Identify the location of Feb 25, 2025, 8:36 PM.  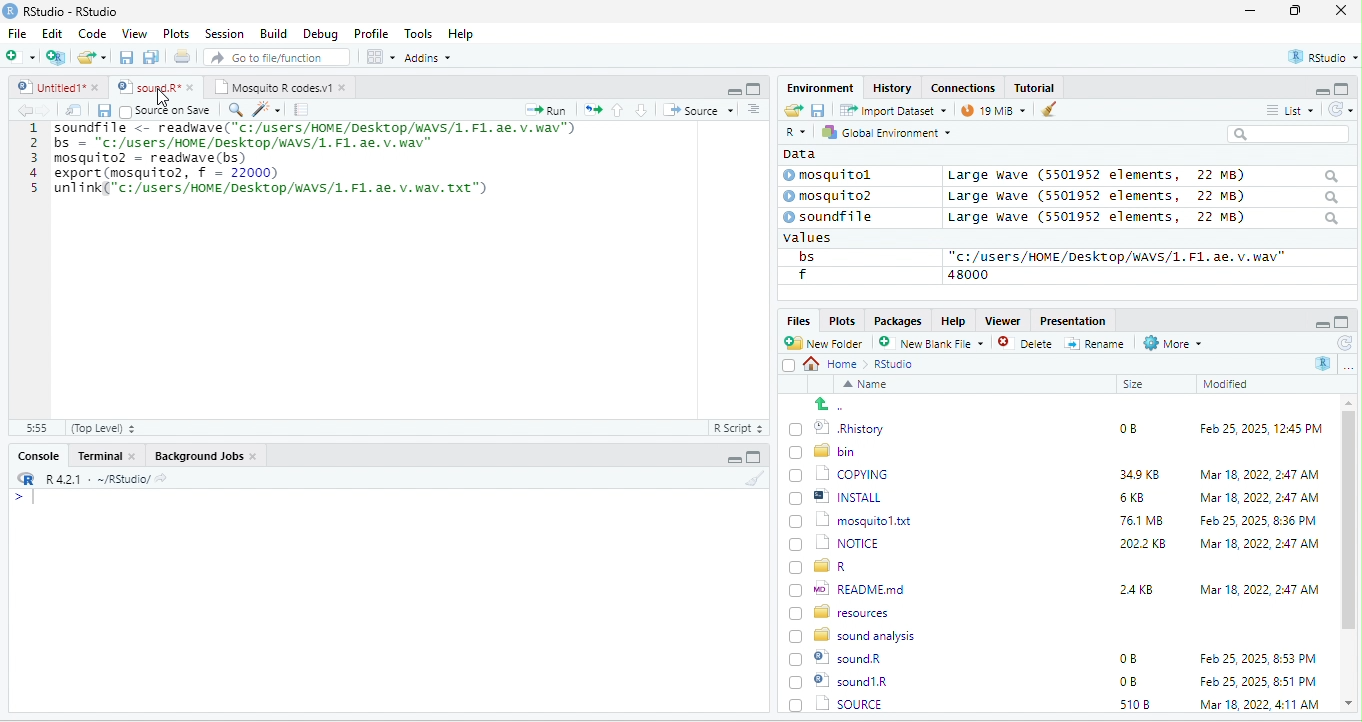
(1254, 520).